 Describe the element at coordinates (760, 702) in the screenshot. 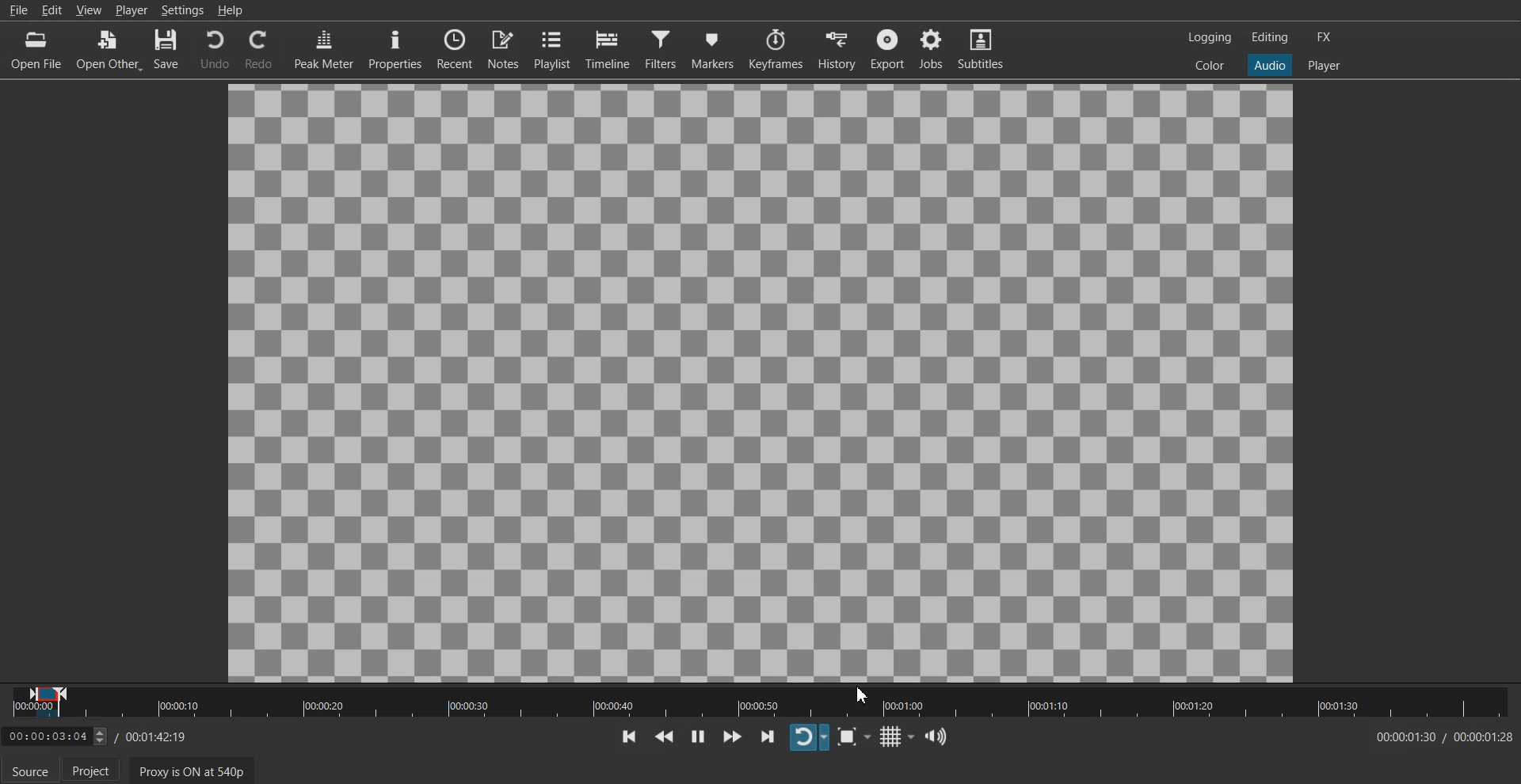

I see `Slider` at that location.